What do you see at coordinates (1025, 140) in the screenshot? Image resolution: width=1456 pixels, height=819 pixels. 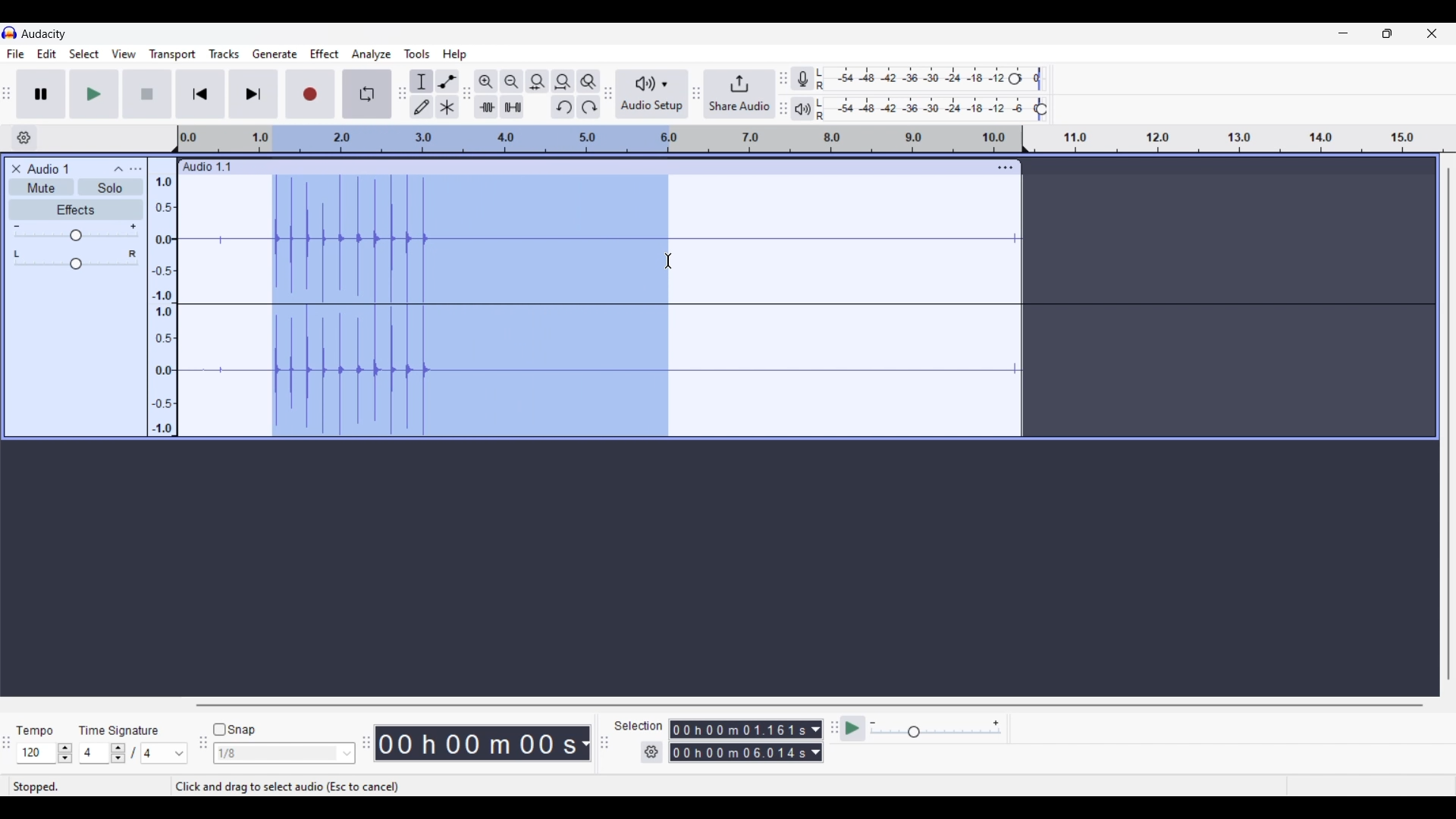 I see `Track header` at bounding box center [1025, 140].